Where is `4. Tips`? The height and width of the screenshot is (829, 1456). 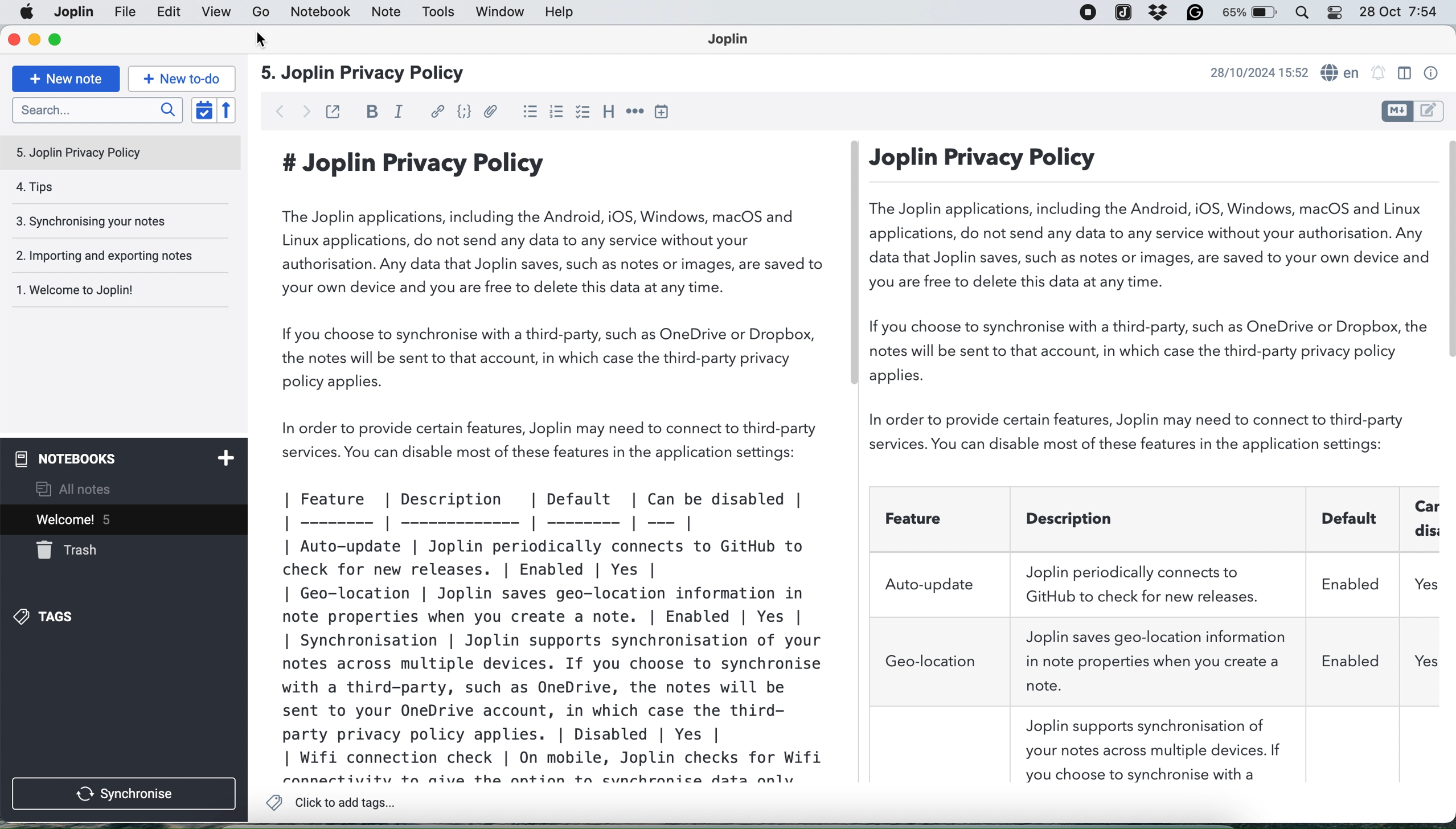 4. Tips is located at coordinates (117, 187).